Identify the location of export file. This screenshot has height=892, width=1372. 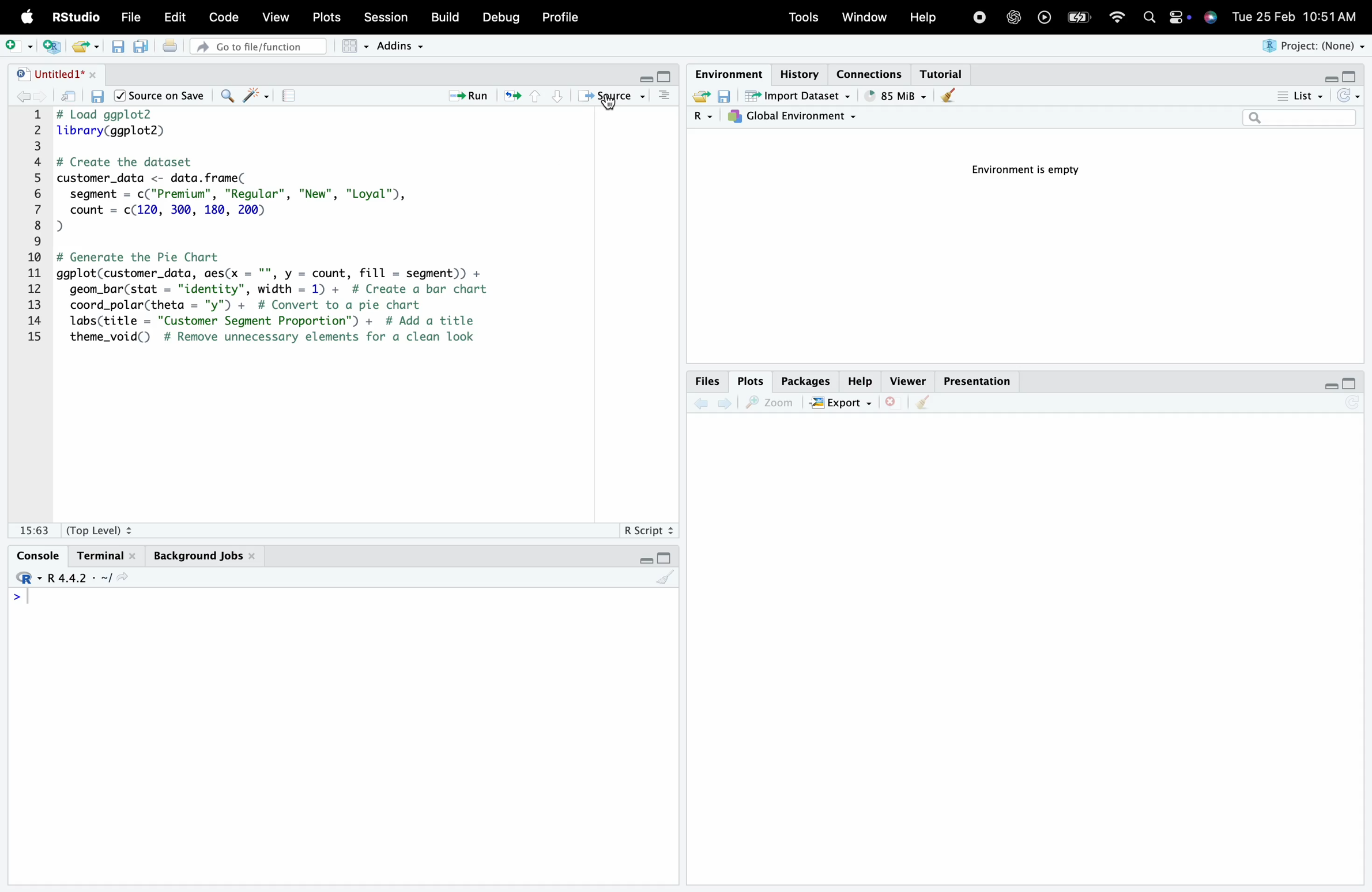
(89, 47).